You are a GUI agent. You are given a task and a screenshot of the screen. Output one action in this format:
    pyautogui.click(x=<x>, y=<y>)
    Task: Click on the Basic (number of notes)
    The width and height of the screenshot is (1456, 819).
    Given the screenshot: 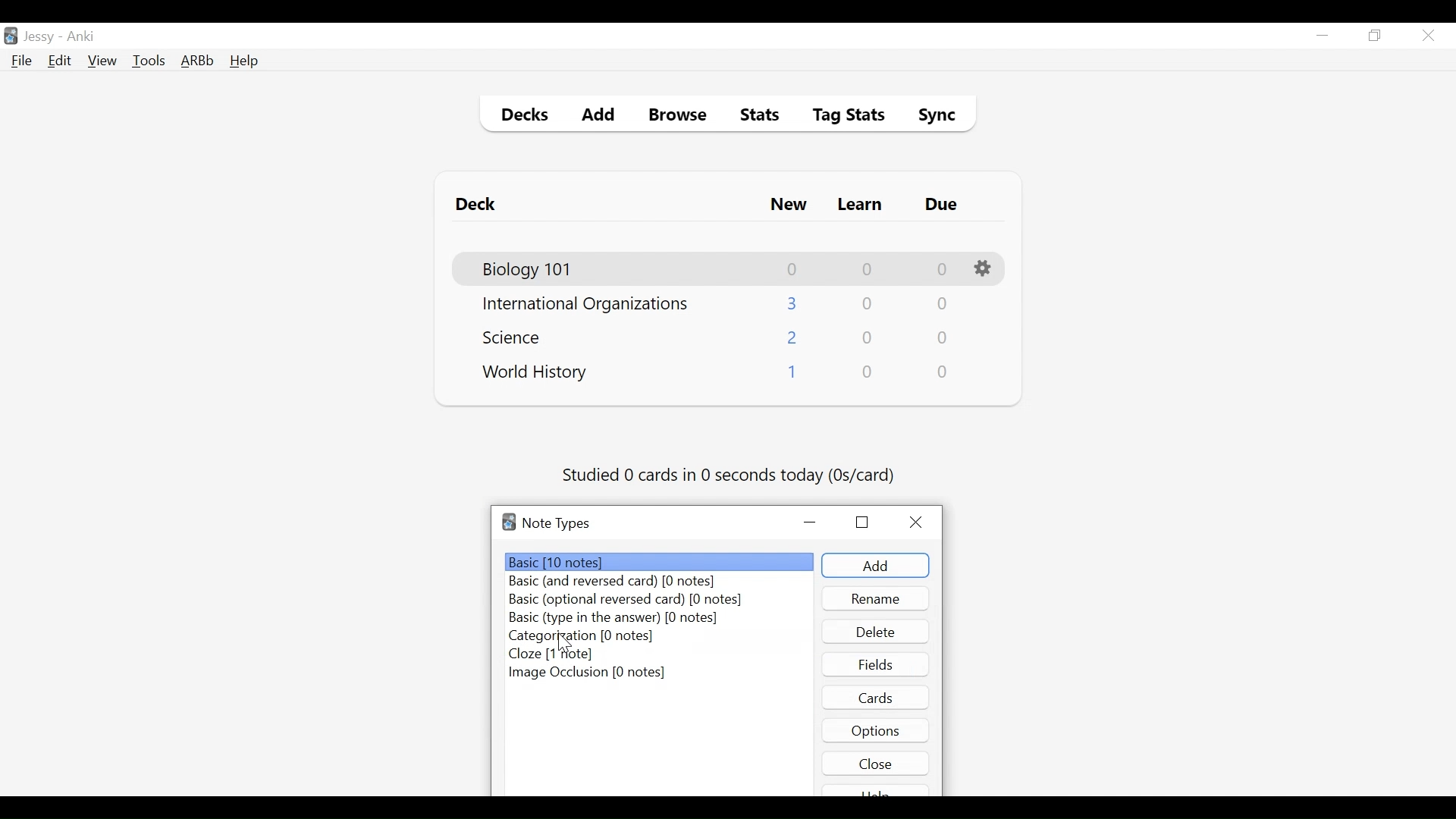 What is the action you would take?
    pyautogui.click(x=661, y=562)
    